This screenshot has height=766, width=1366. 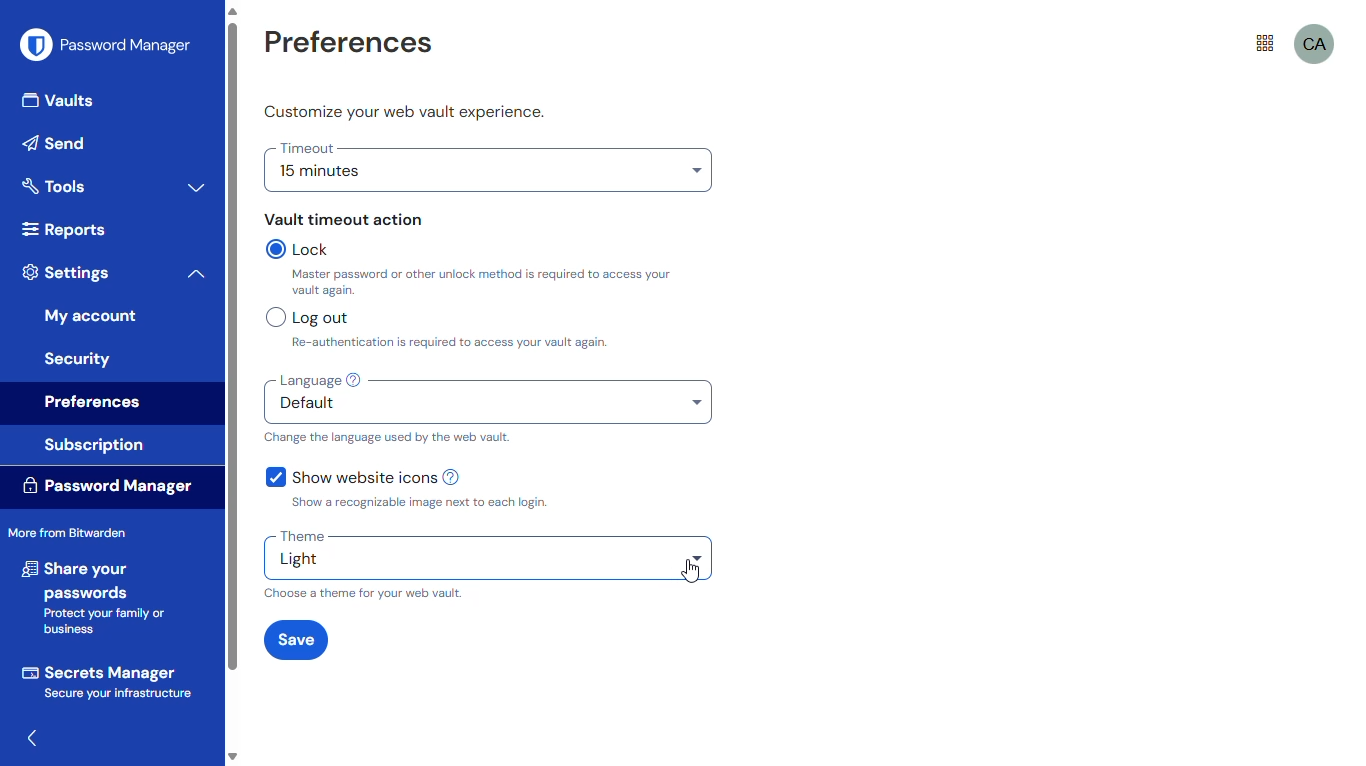 I want to click on change the language used by the web vault, so click(x=387, y=437).